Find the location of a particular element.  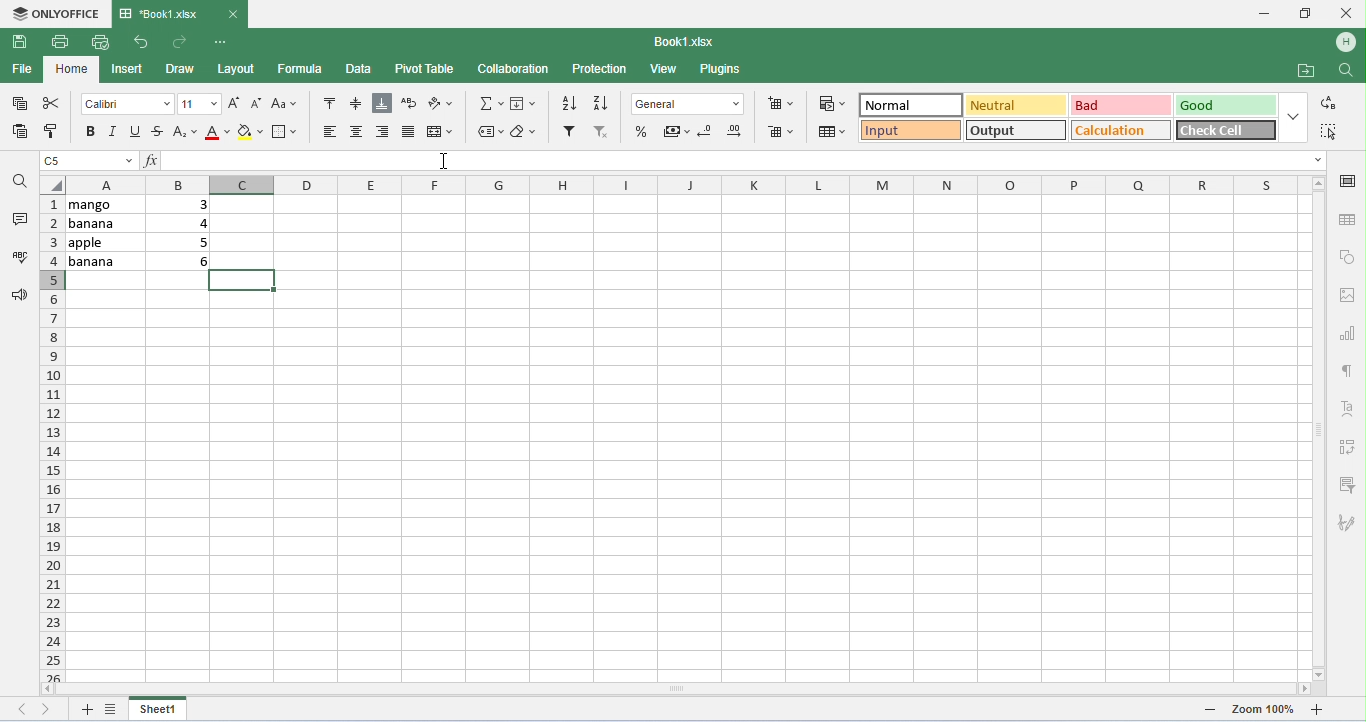

border is located at coordinates (287, 131).